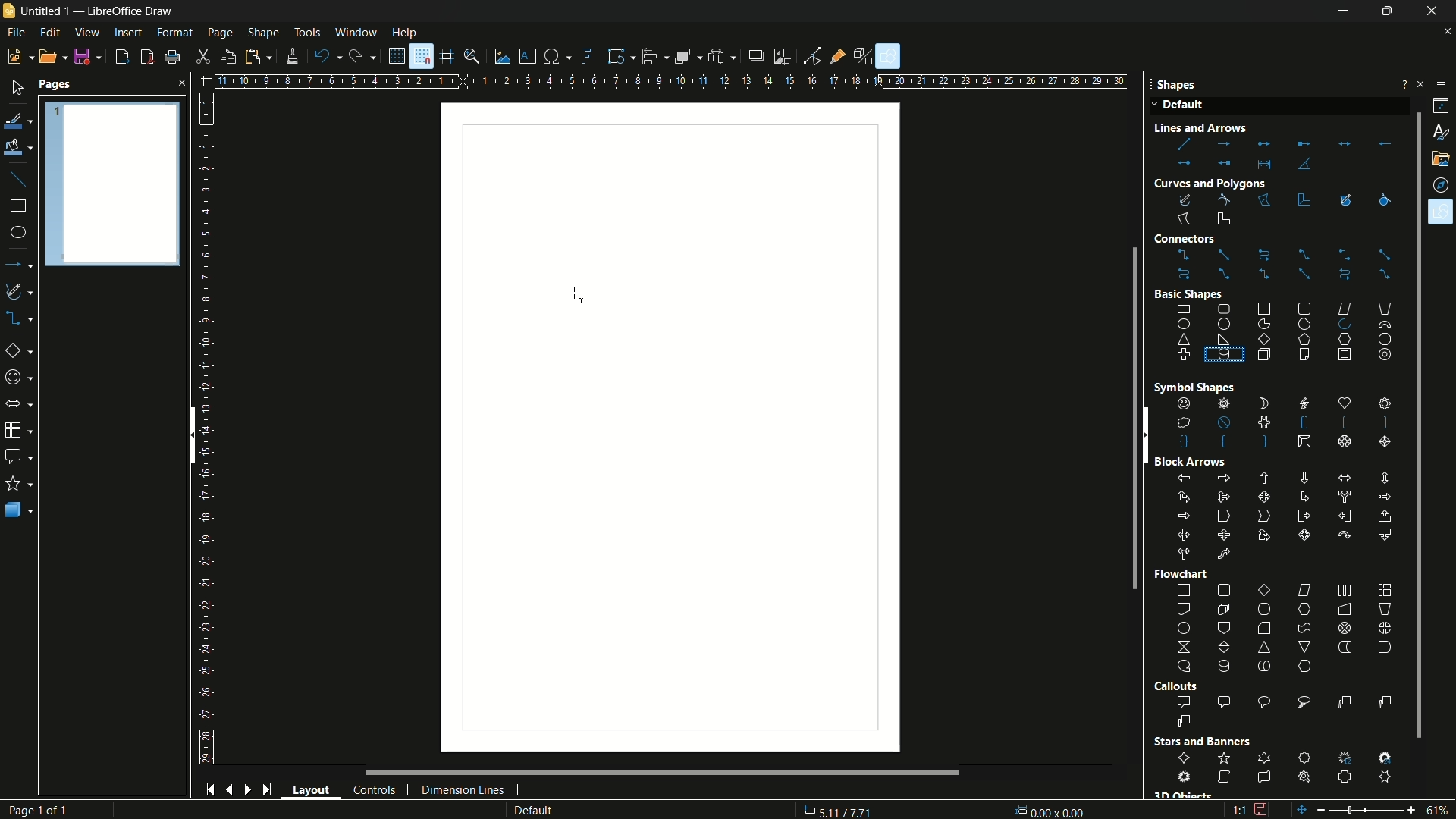 This screenshot has width=1456, height=819. Describe the element at coordinates (17, 179) in the screenshot. I see `insert line` at that location.